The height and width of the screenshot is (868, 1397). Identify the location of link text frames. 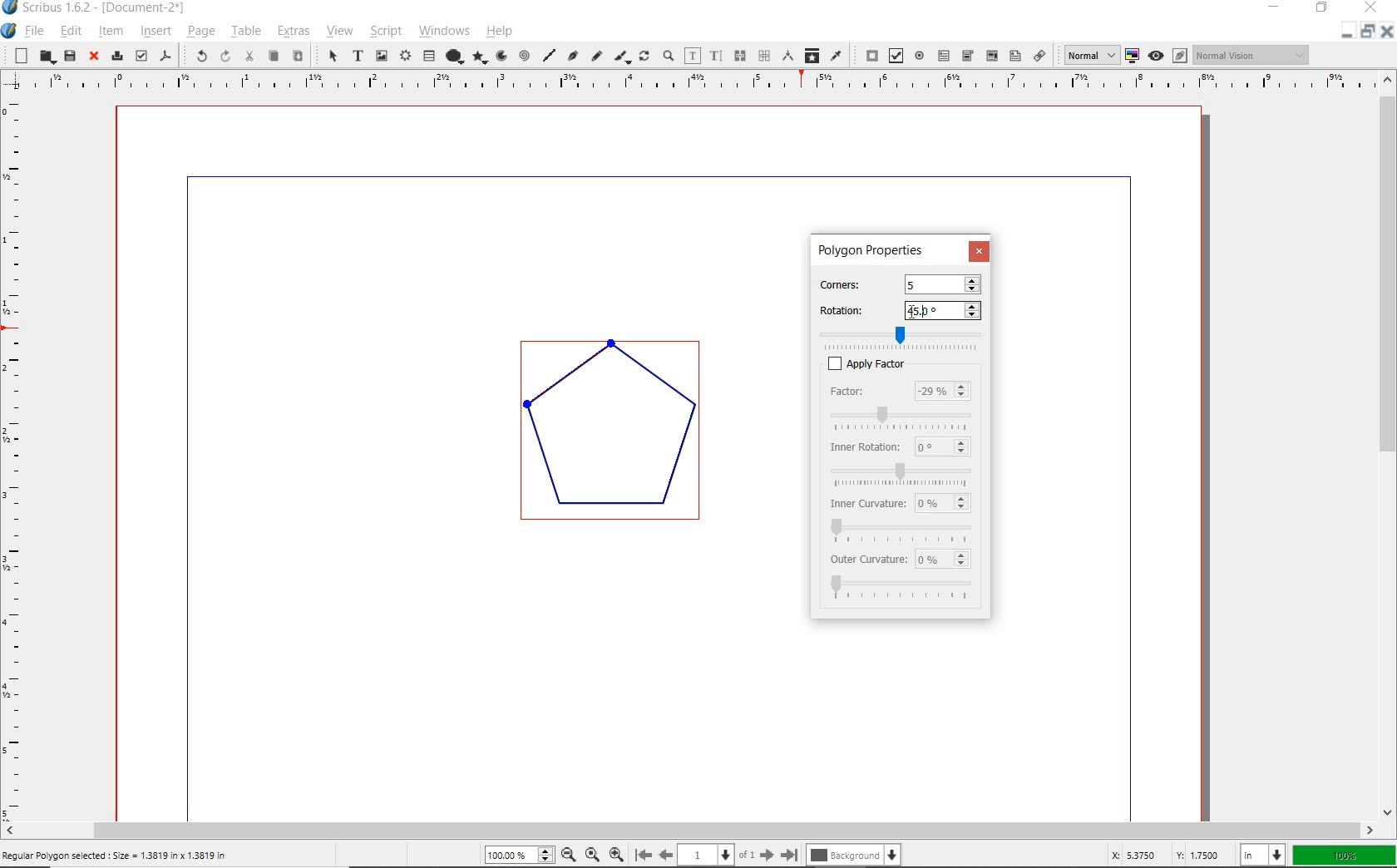
(739, 56).